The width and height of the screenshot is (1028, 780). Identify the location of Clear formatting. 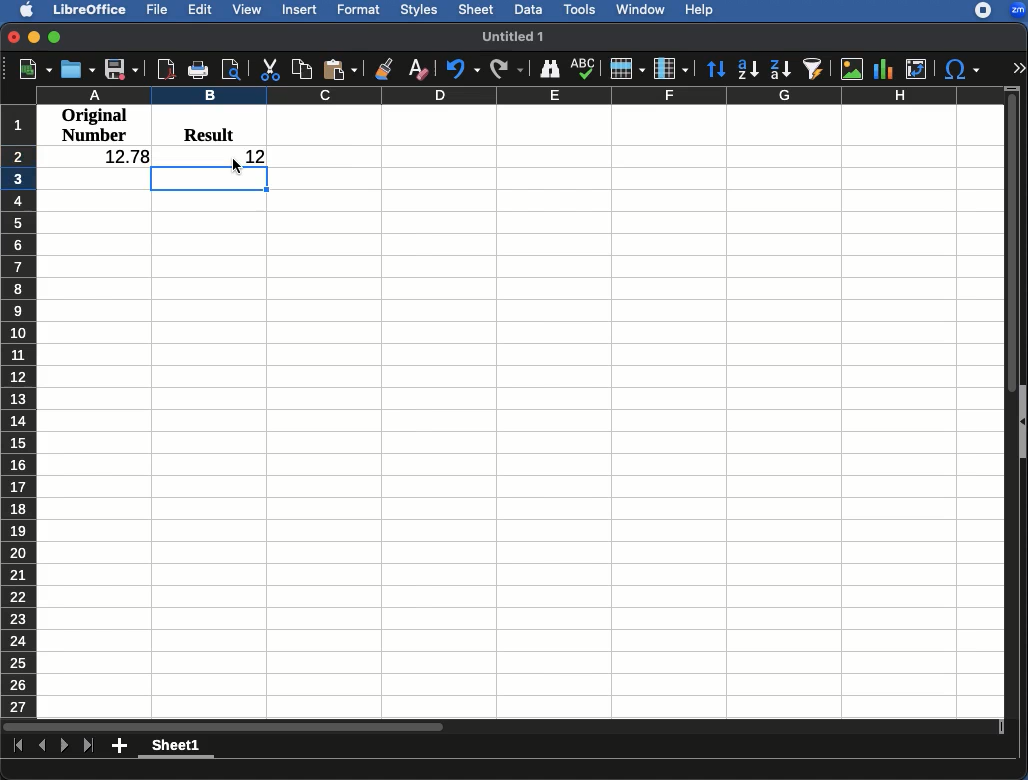
(418, 66).